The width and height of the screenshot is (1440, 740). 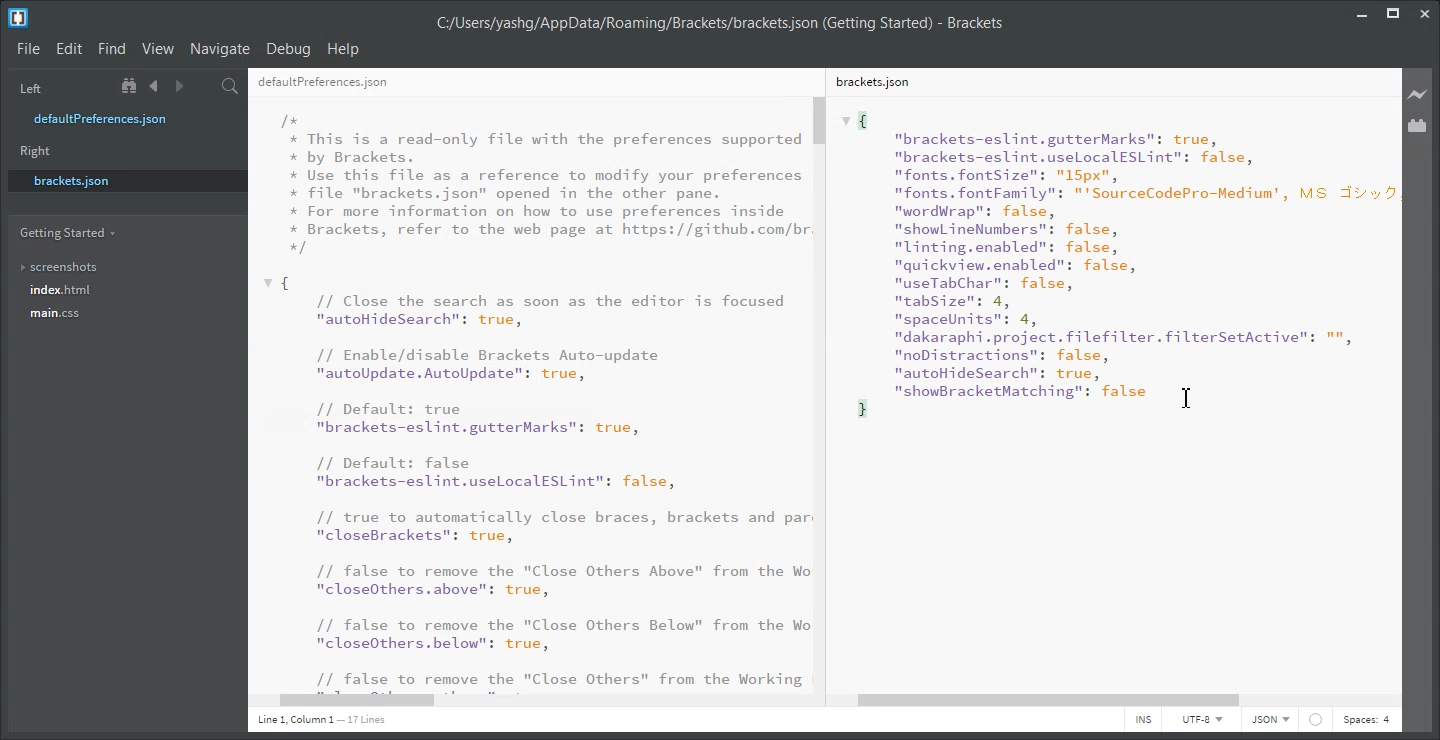 I want to click on screenshots, so click(x=60, y=263).